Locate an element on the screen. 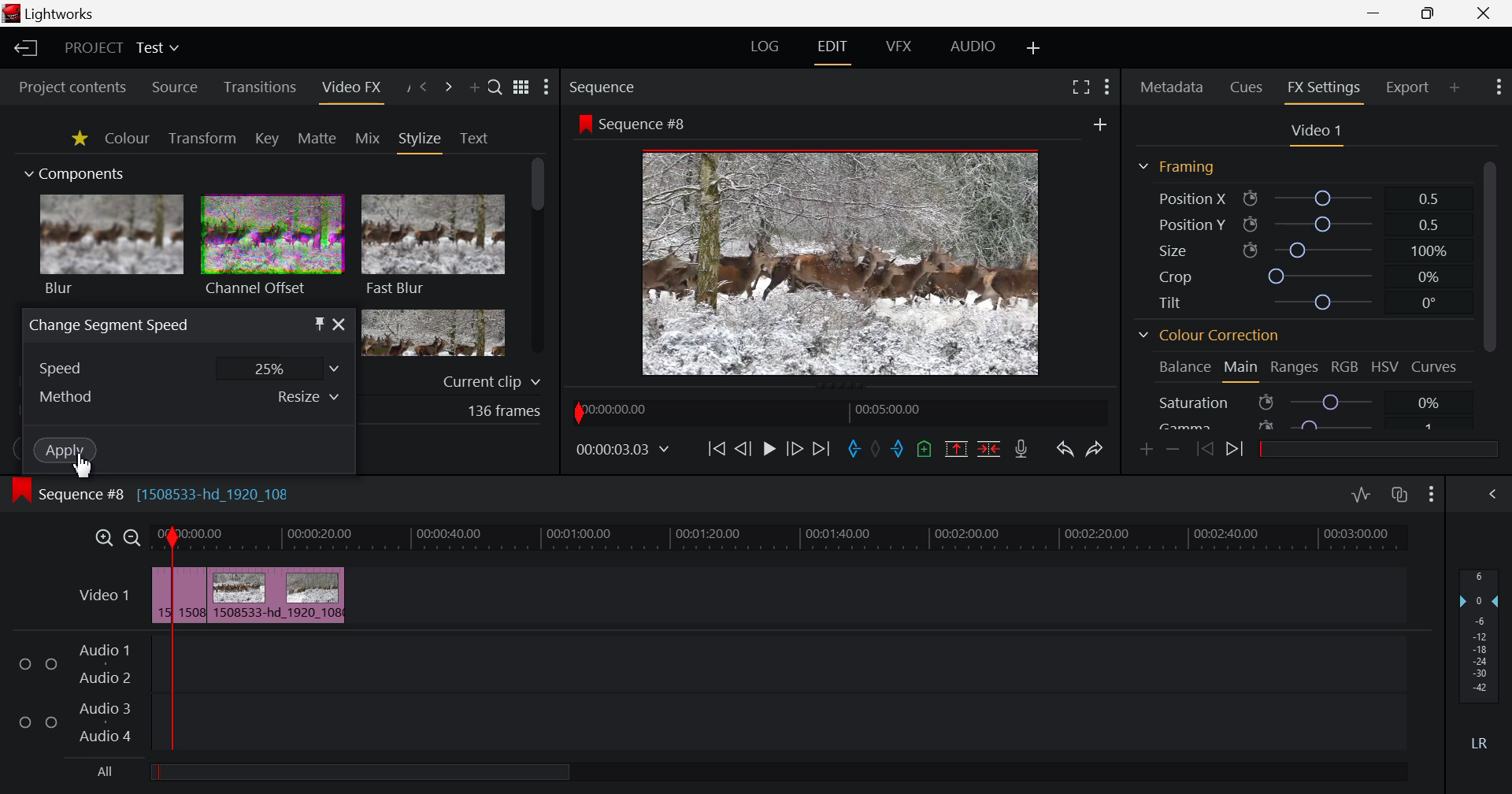 Image resolution: width=1512 pixels, height=794 pixels. Mark Out is located at coordinates (902, 451).